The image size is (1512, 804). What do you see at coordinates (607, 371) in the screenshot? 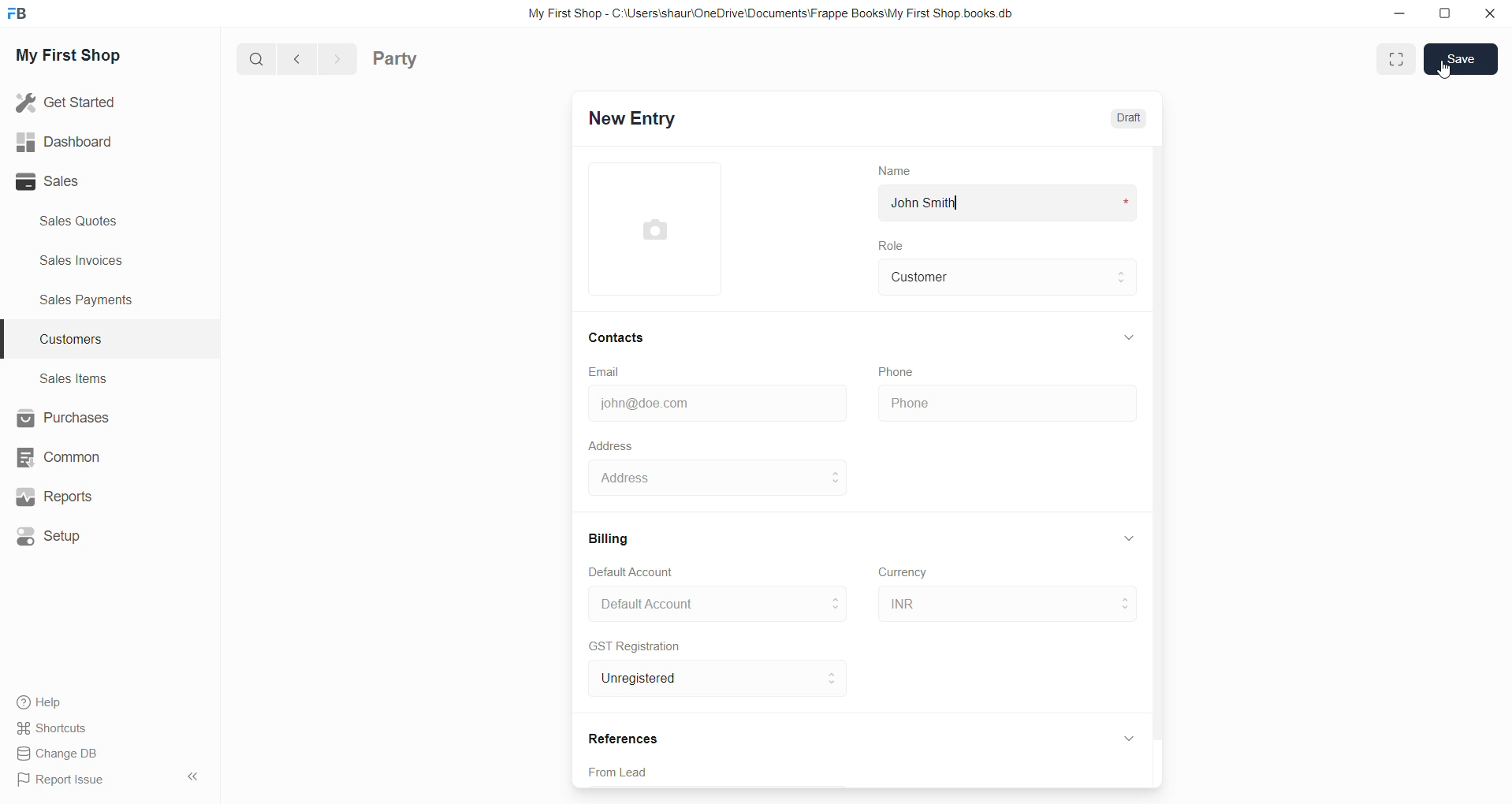
I see `Email` at bounding box center [607, 371].